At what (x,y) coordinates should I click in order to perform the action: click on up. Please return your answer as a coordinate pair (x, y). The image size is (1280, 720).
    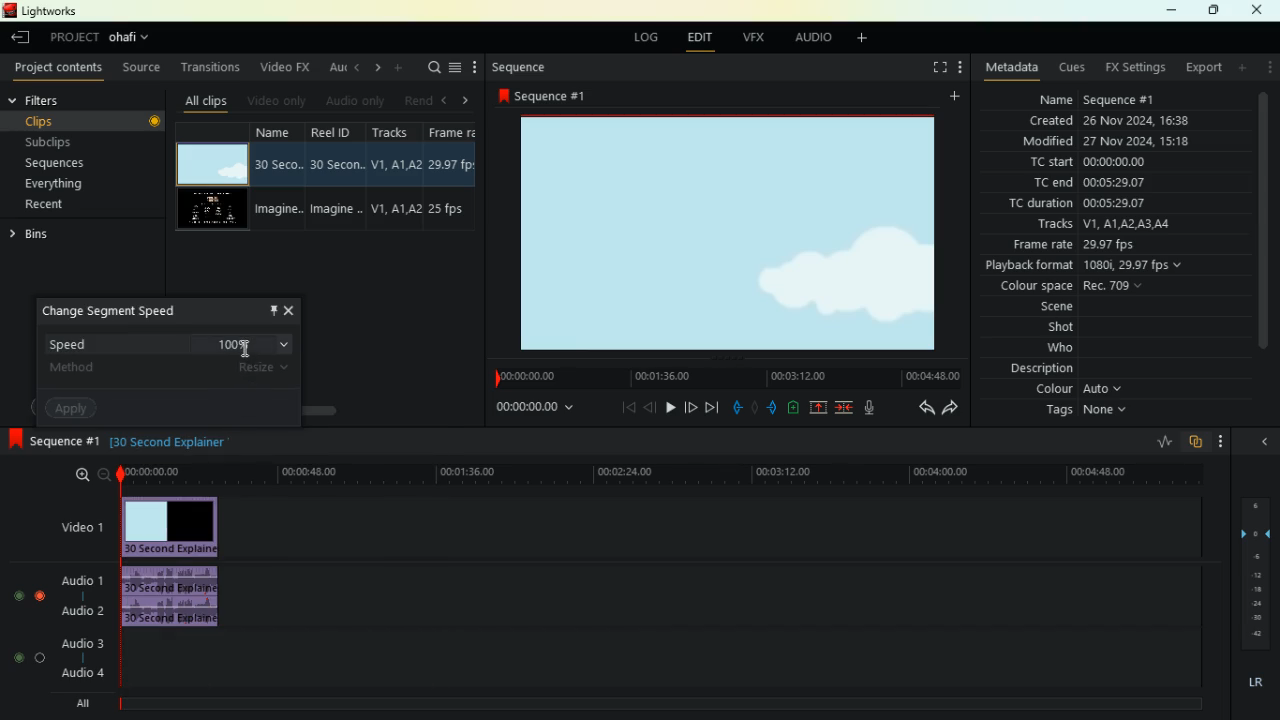
    Looking at the image, I should click on (818, 408).